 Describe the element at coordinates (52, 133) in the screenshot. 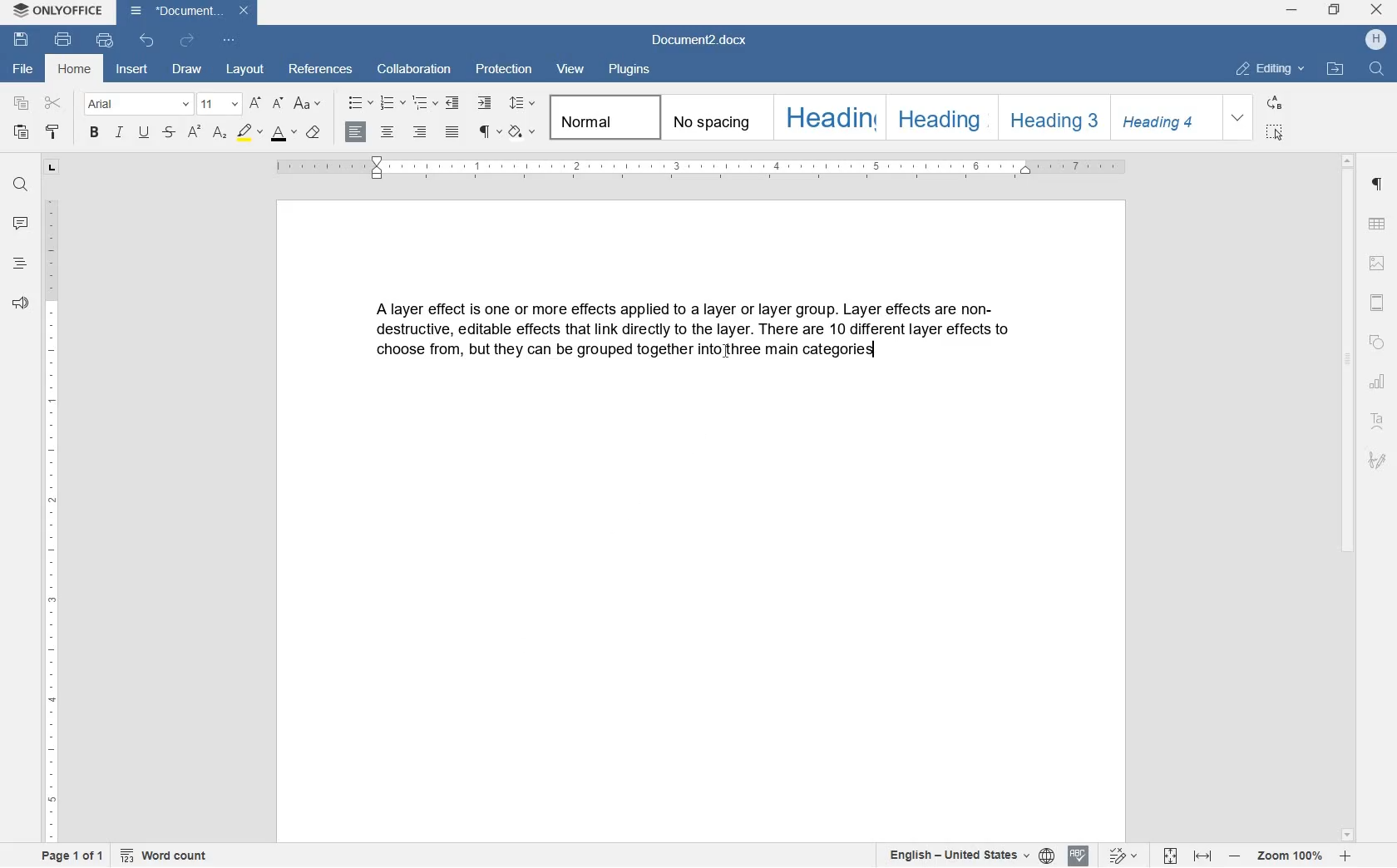

I see `copy stlye` at that location.